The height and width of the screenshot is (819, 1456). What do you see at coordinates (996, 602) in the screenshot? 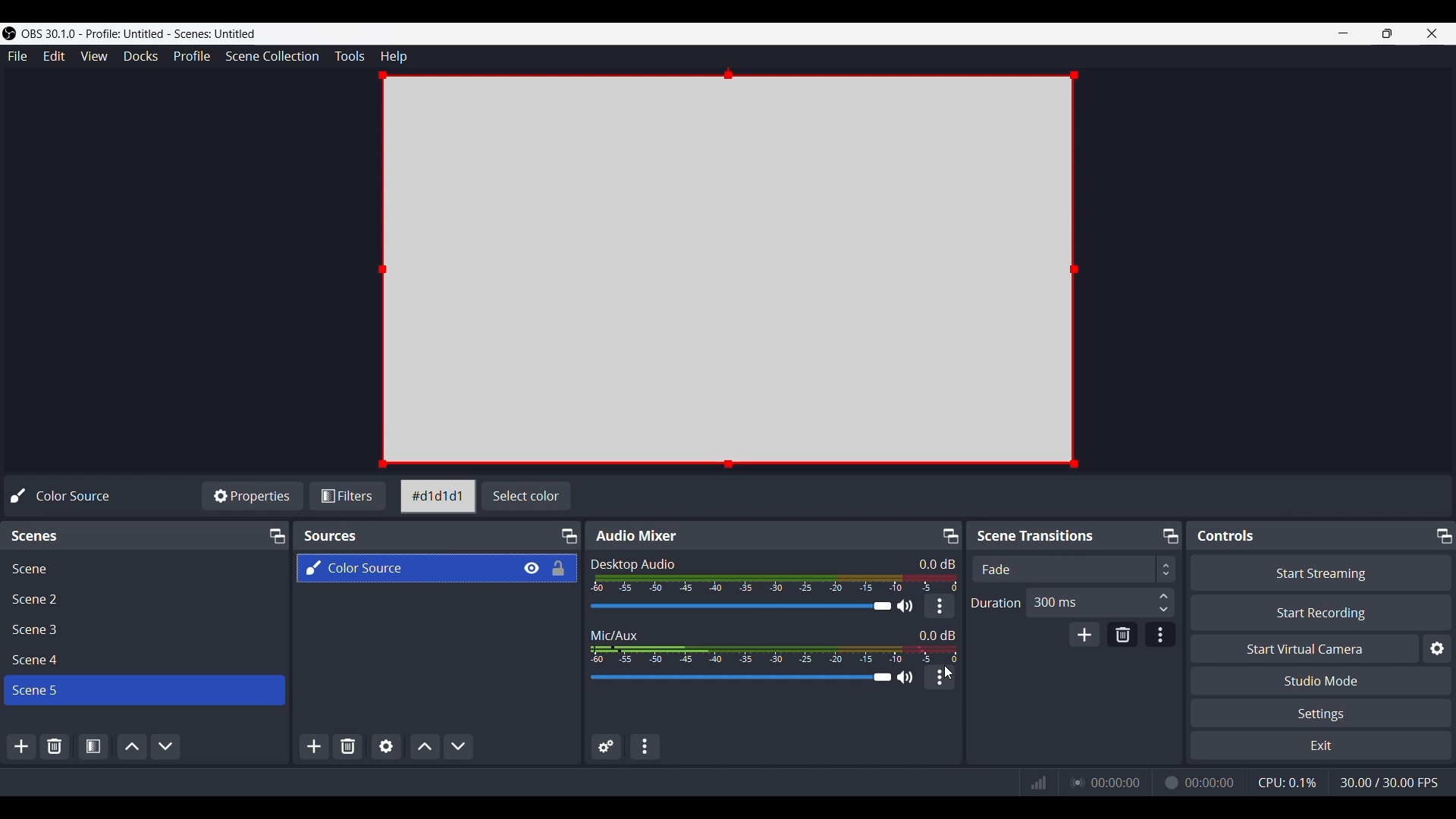
I see `Duration Adjuster` at bounding box center [996, 602].